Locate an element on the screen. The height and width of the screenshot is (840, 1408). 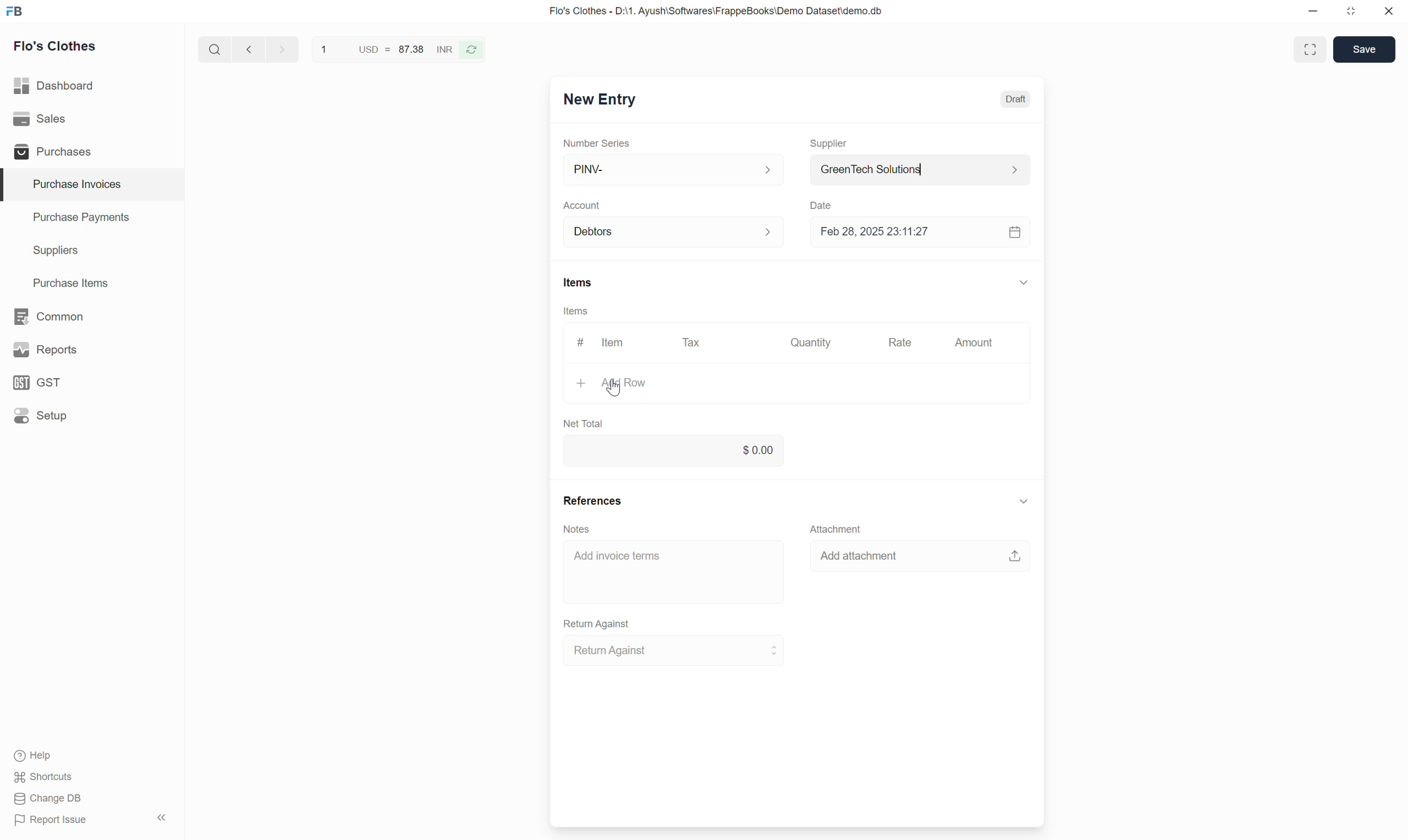
Cursor is located at coordinates (613, 387).